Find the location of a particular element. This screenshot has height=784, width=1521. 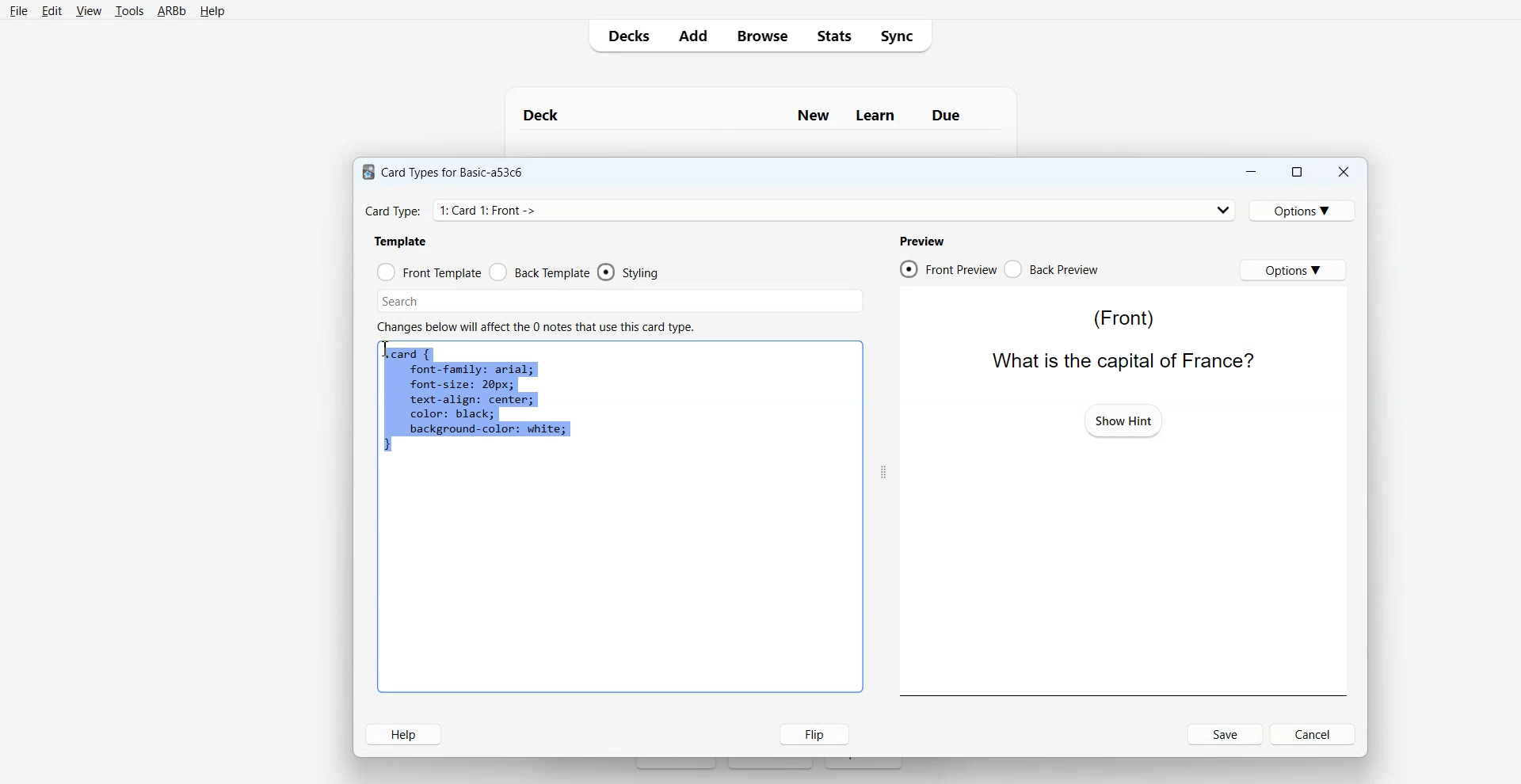

File is located at coordinates (18, 10).